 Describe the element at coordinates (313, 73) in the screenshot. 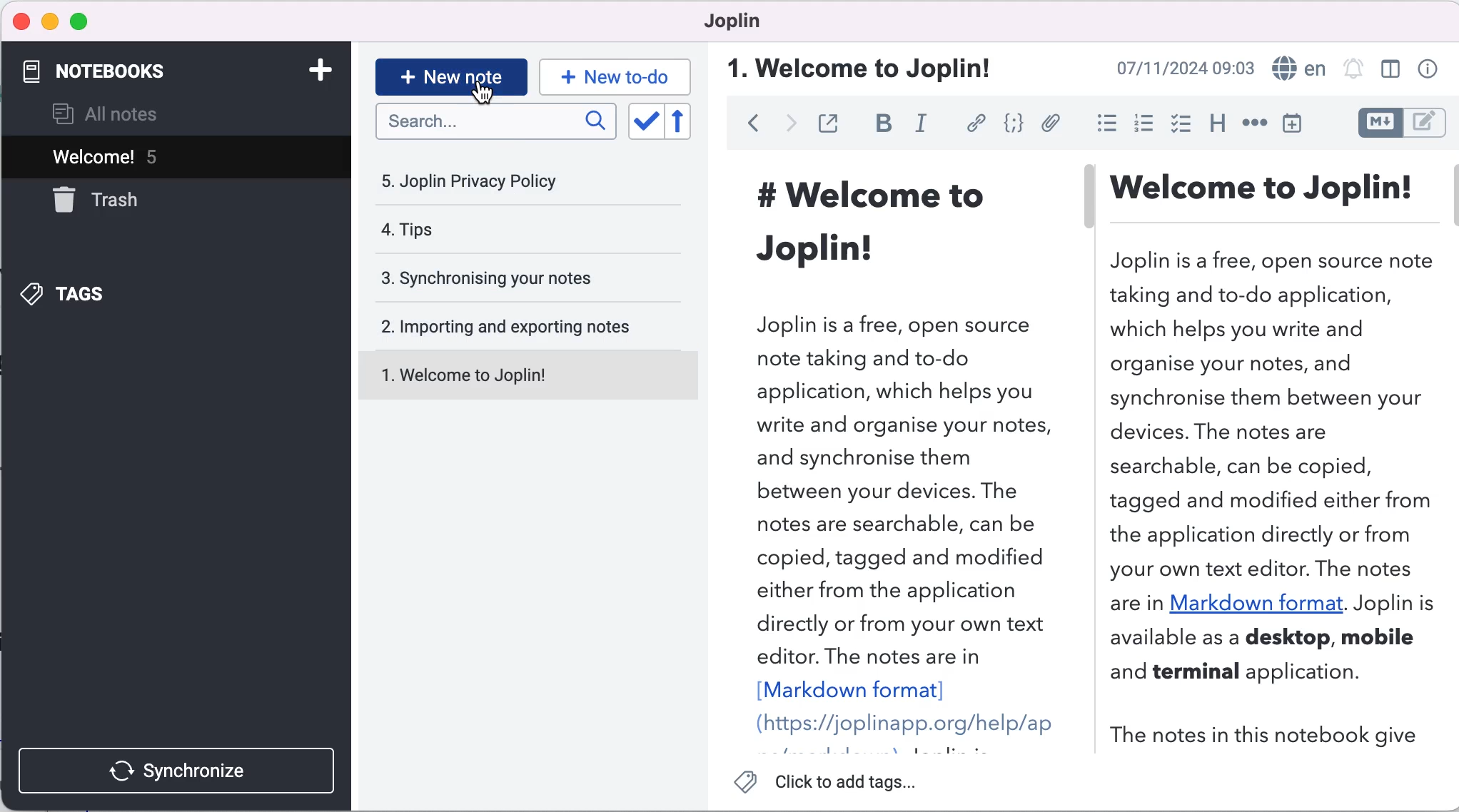

I see `add notebook` at that location.